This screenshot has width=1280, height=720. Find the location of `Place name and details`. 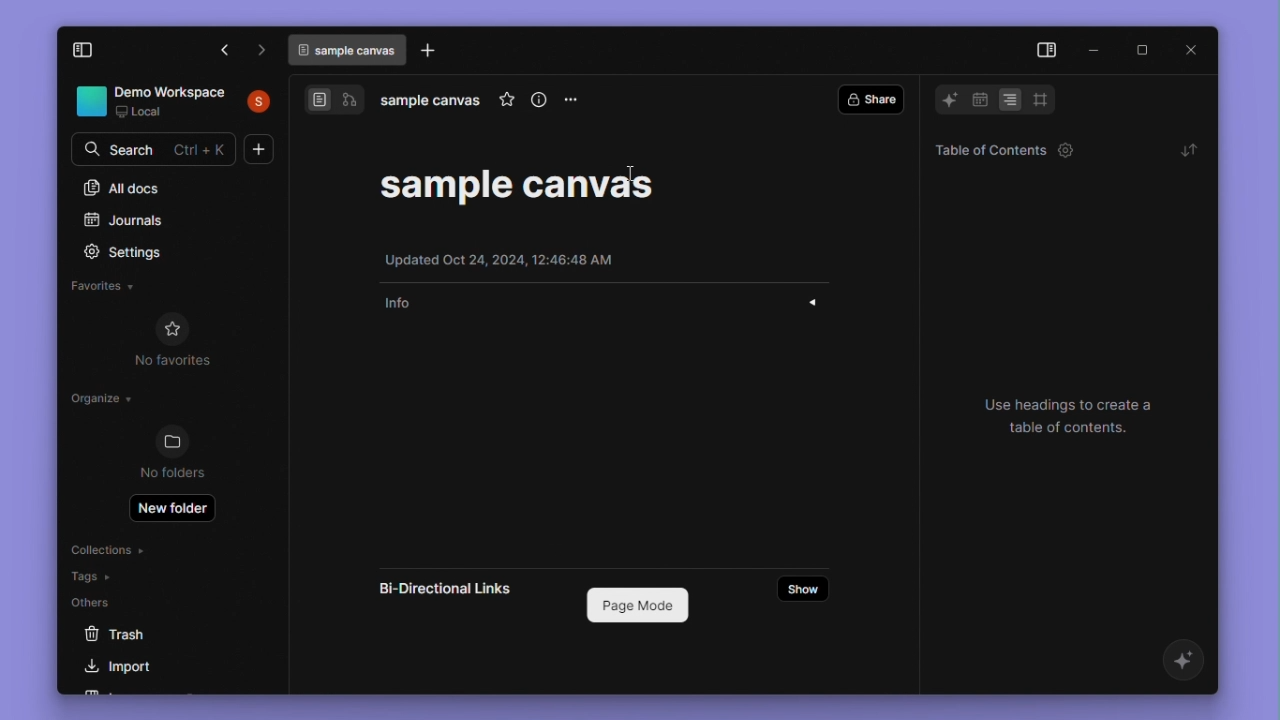

Place name and details is located at coordinates (175, 102).